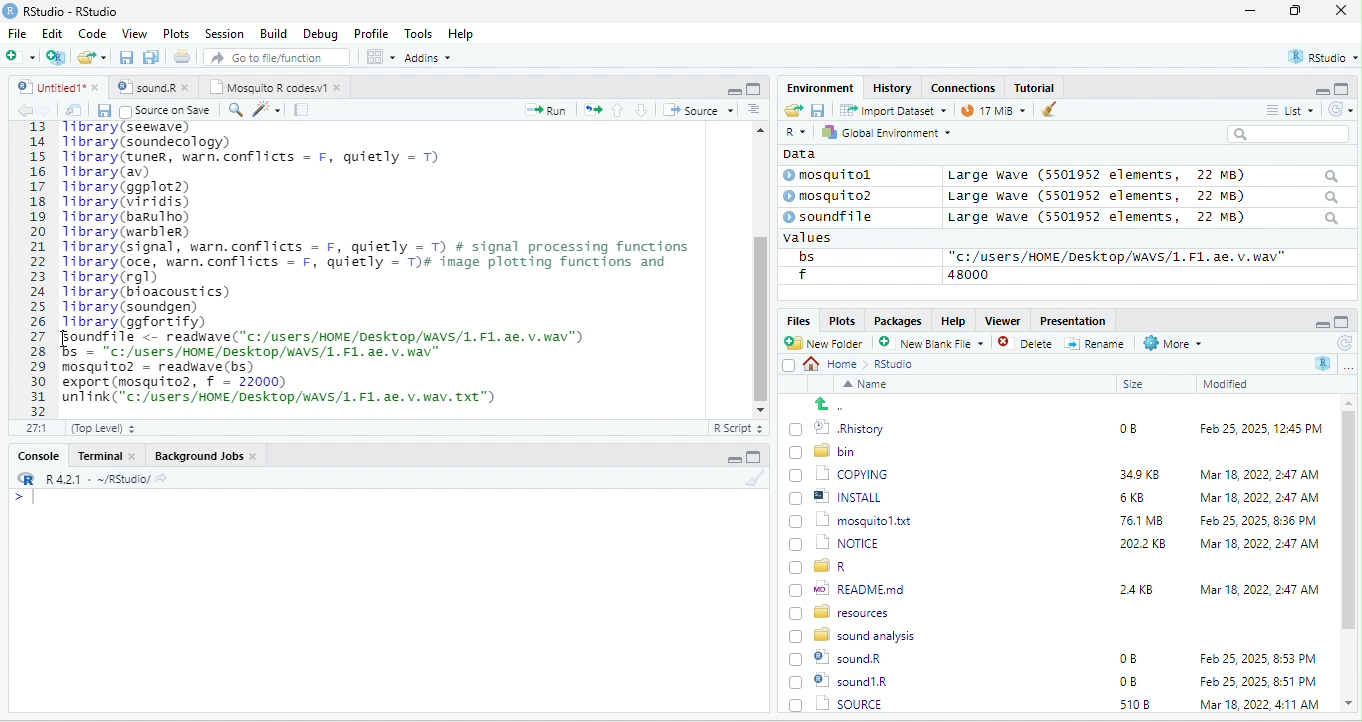  Describe the element at coordinates (1145, 704) in the screenshot. I see `1302 KB` at that location.